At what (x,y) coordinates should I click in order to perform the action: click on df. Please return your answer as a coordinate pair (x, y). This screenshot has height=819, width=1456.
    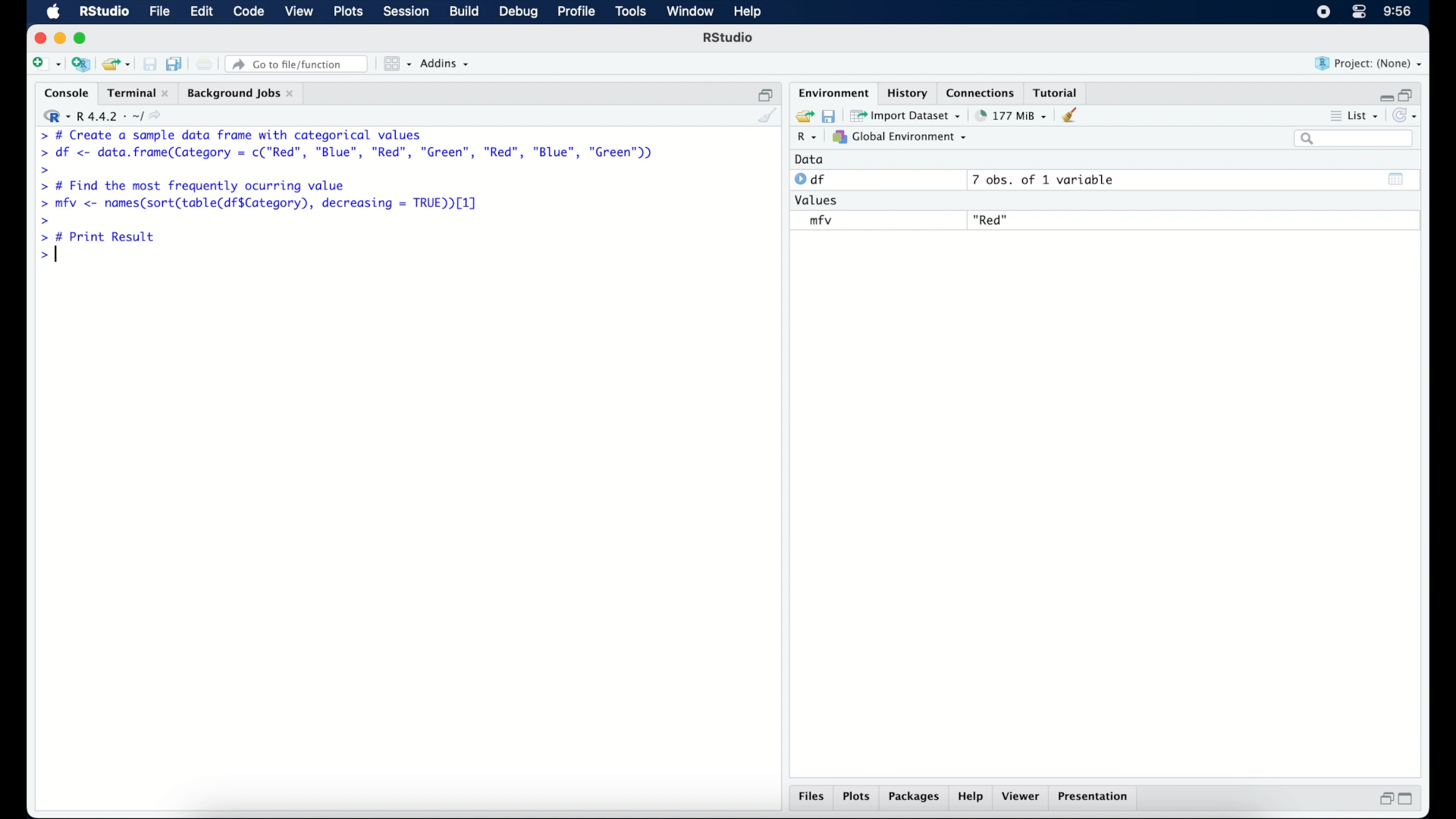
    Looking at the image, I should click on (811, 180).